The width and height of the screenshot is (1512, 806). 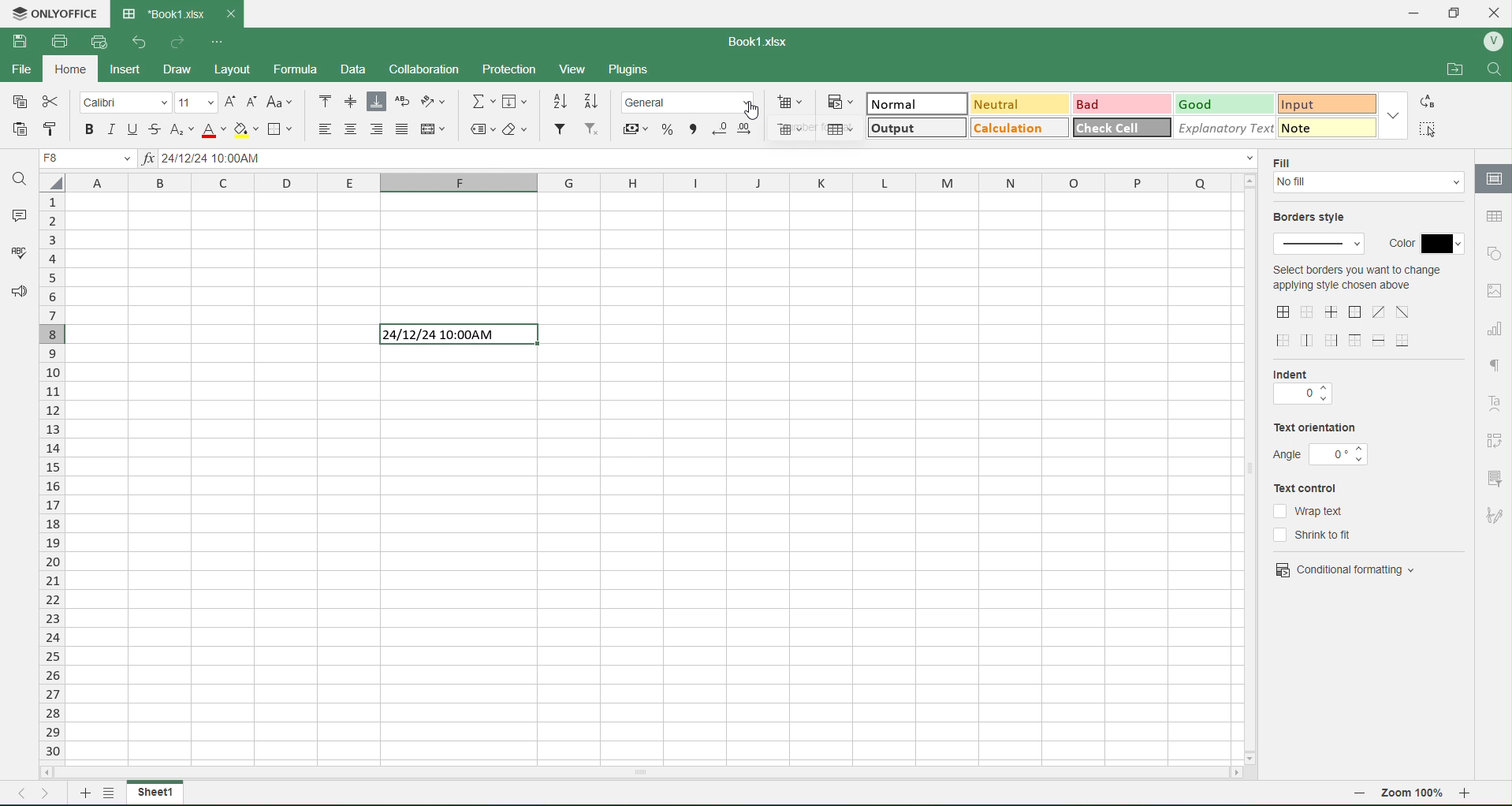 What do you see at coordinates (1309, 340) in the screenshot?
I see `vertical border` at bounding box center [1309, 340].